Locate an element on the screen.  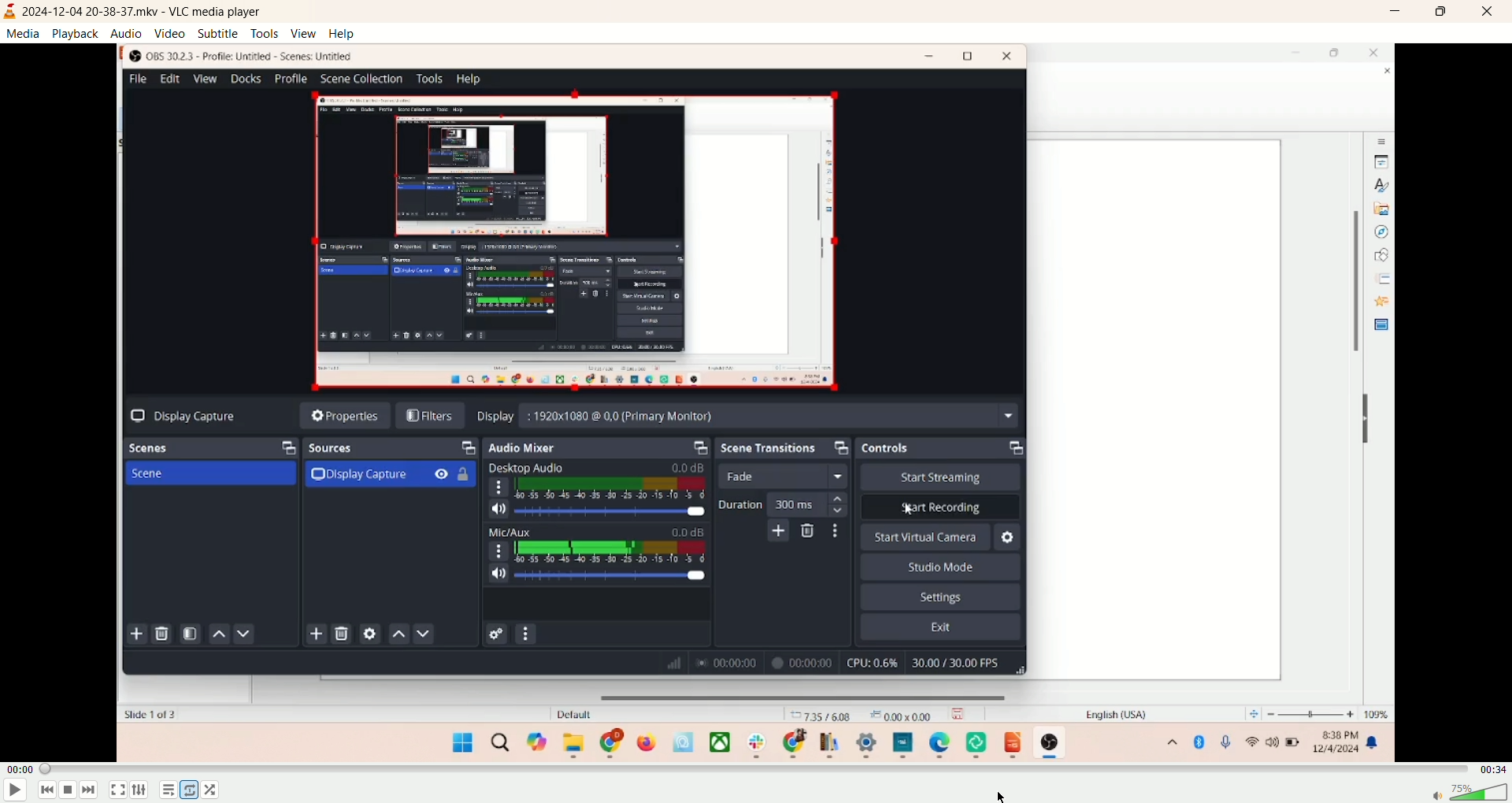
playback is located at coordinates (73, 34).